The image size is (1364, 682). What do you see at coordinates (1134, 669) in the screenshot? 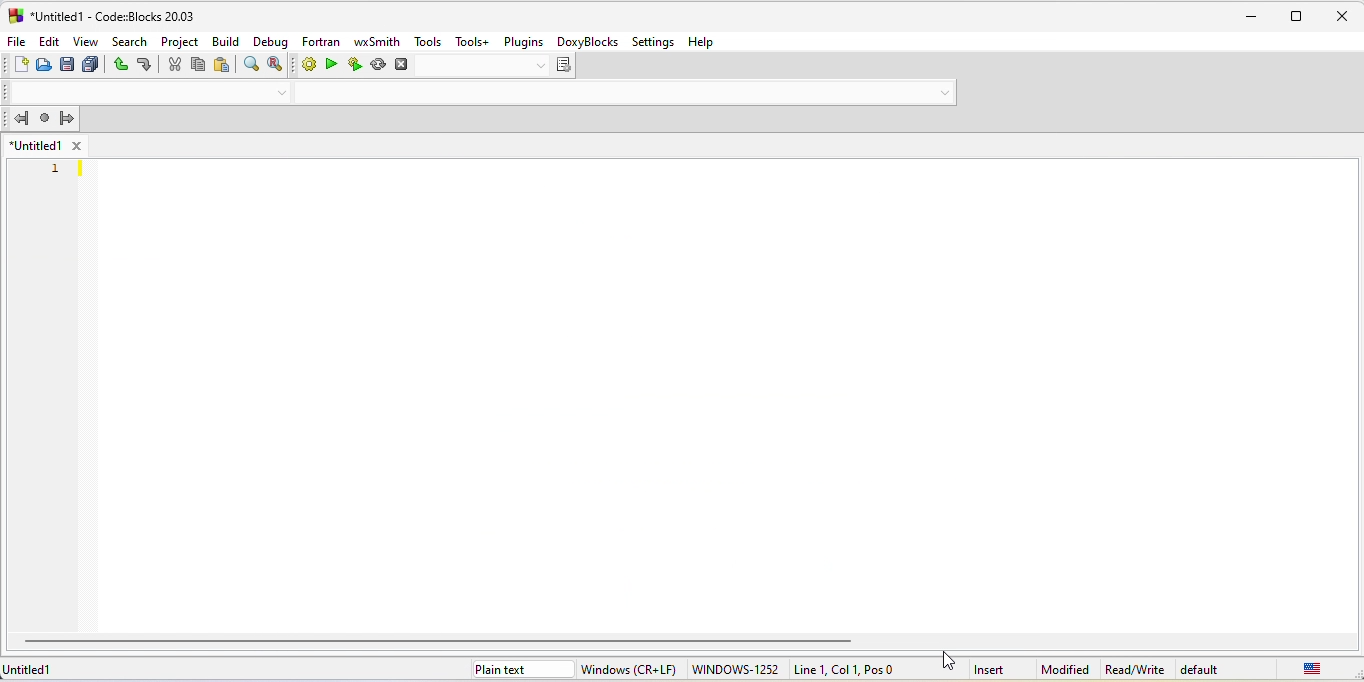
I see `Read/Write` at bounding box center [1134, 669].